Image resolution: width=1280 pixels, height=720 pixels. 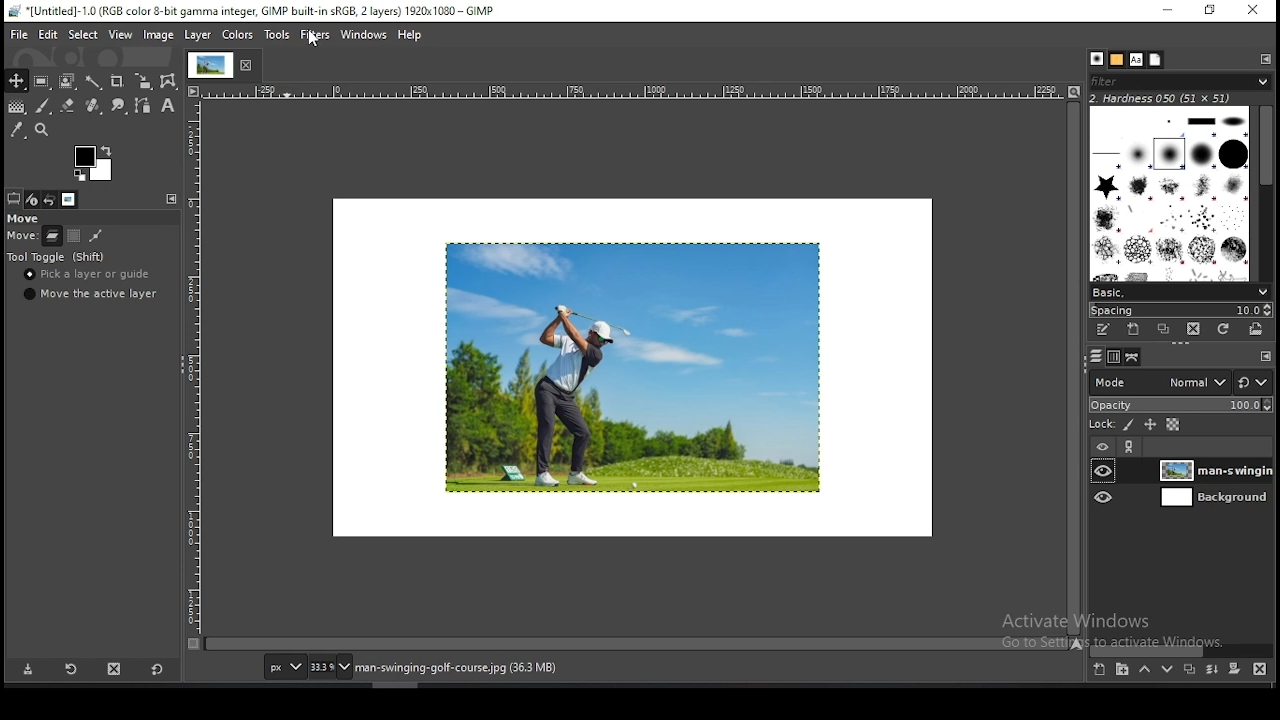 I want to click on layers, so click(x=1096, y=358).